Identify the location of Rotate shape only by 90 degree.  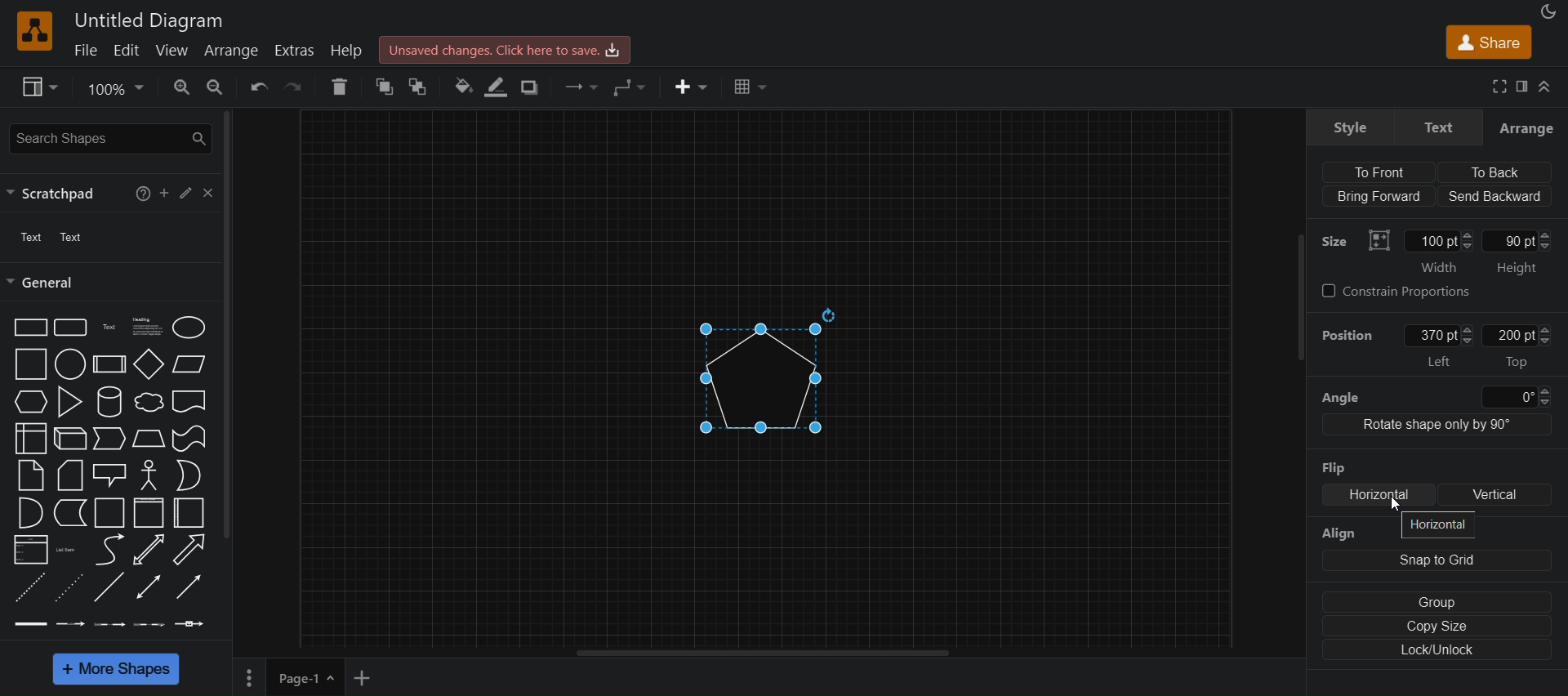
(1437, 425).